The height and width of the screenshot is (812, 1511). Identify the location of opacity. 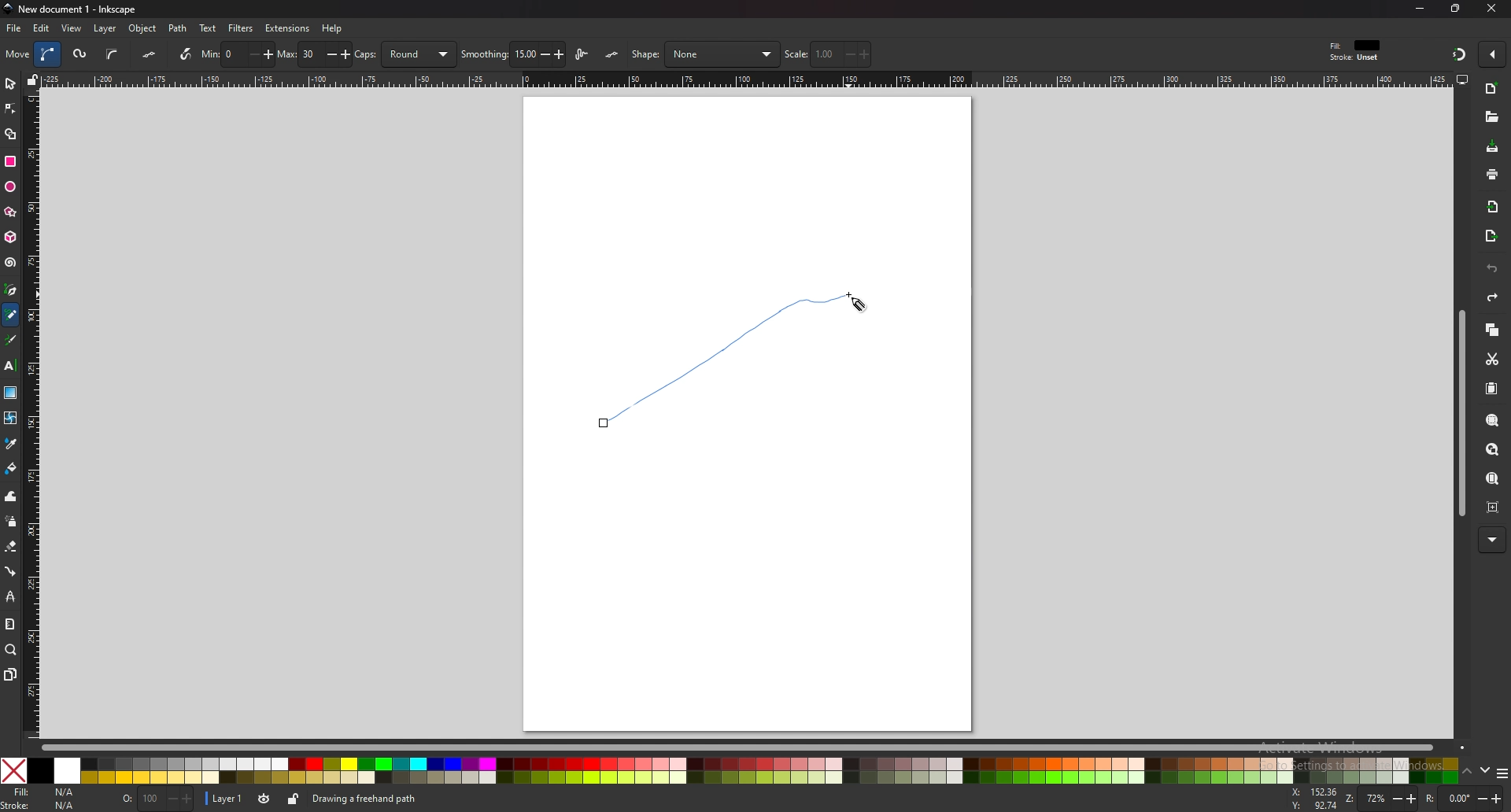
(157, 799).